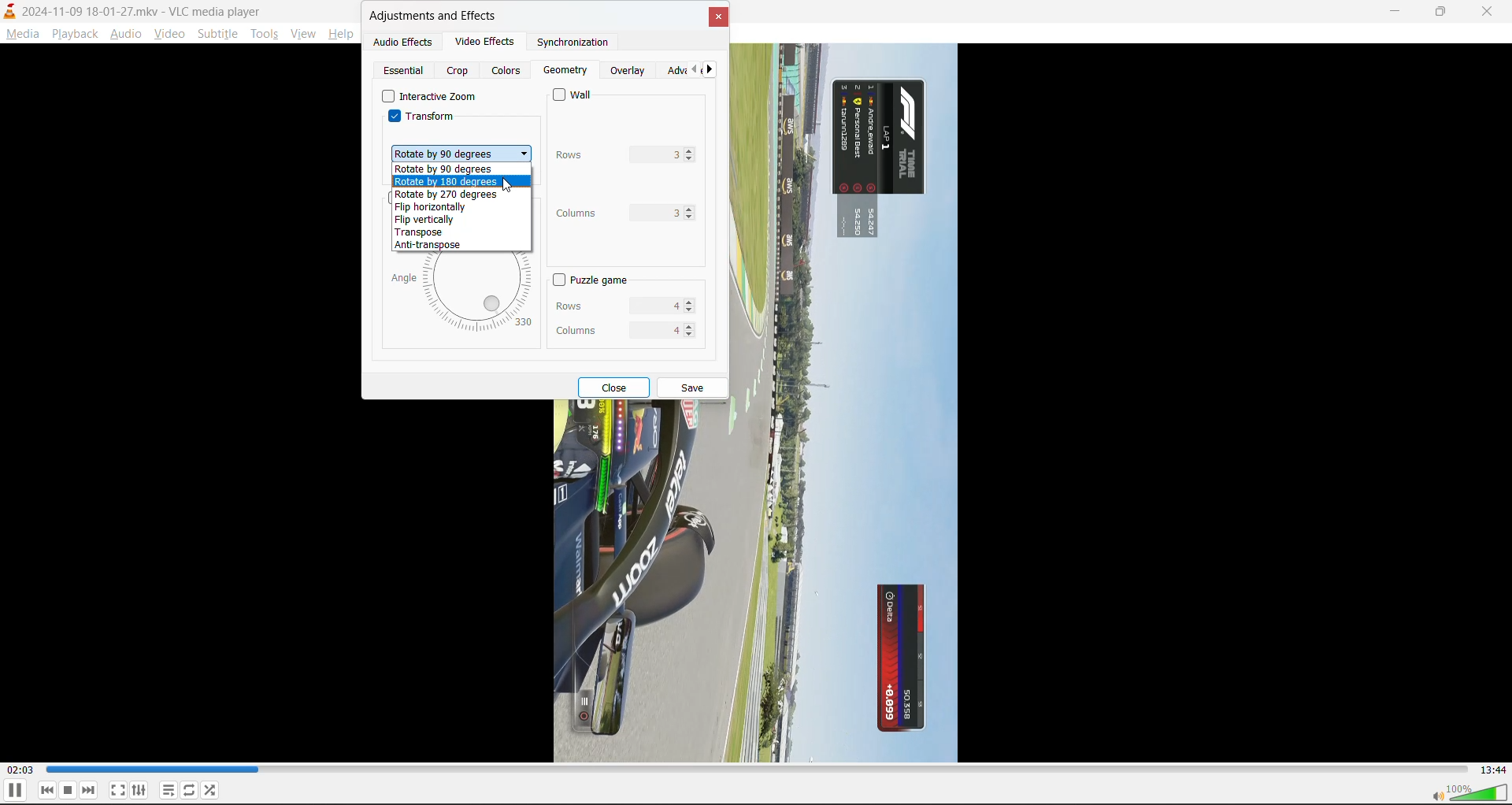  Describe the element at coordinates (617, 387) in the screenshot. I see `close` at that location.